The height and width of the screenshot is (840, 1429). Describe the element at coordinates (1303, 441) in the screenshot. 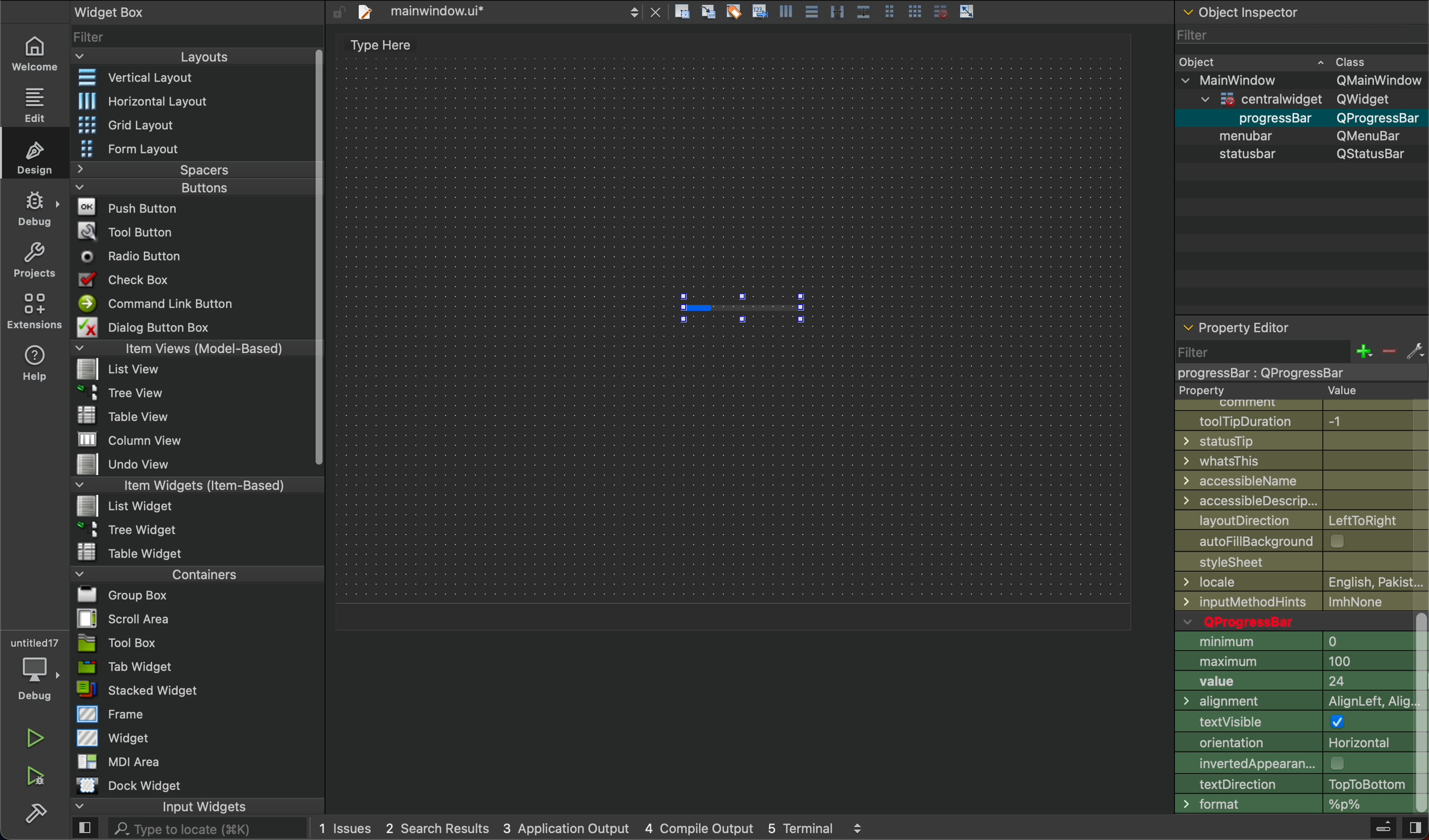

I see `statustip` at that location.